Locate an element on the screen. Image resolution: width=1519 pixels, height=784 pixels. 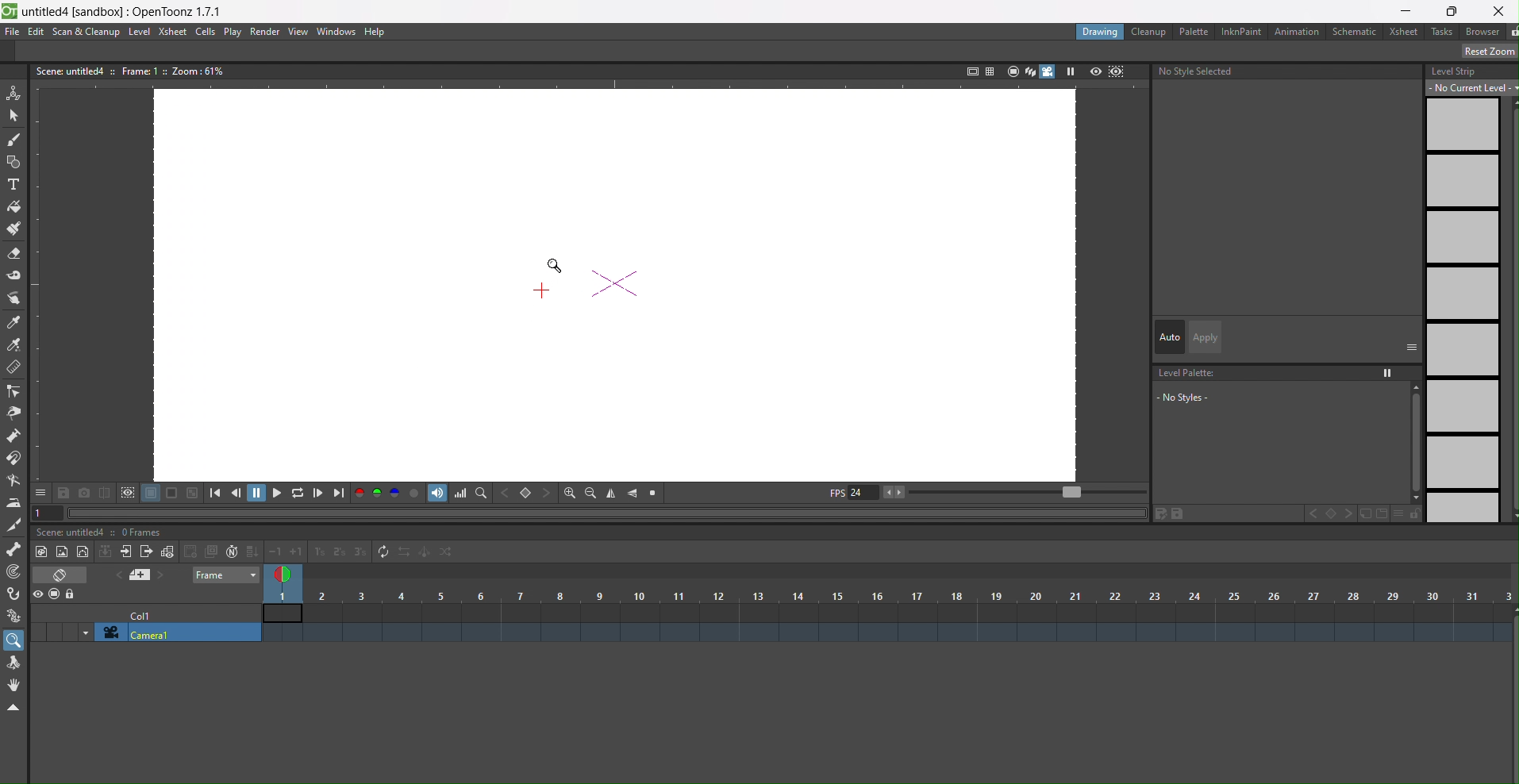
iron tool is located at coordinates (14, 502).